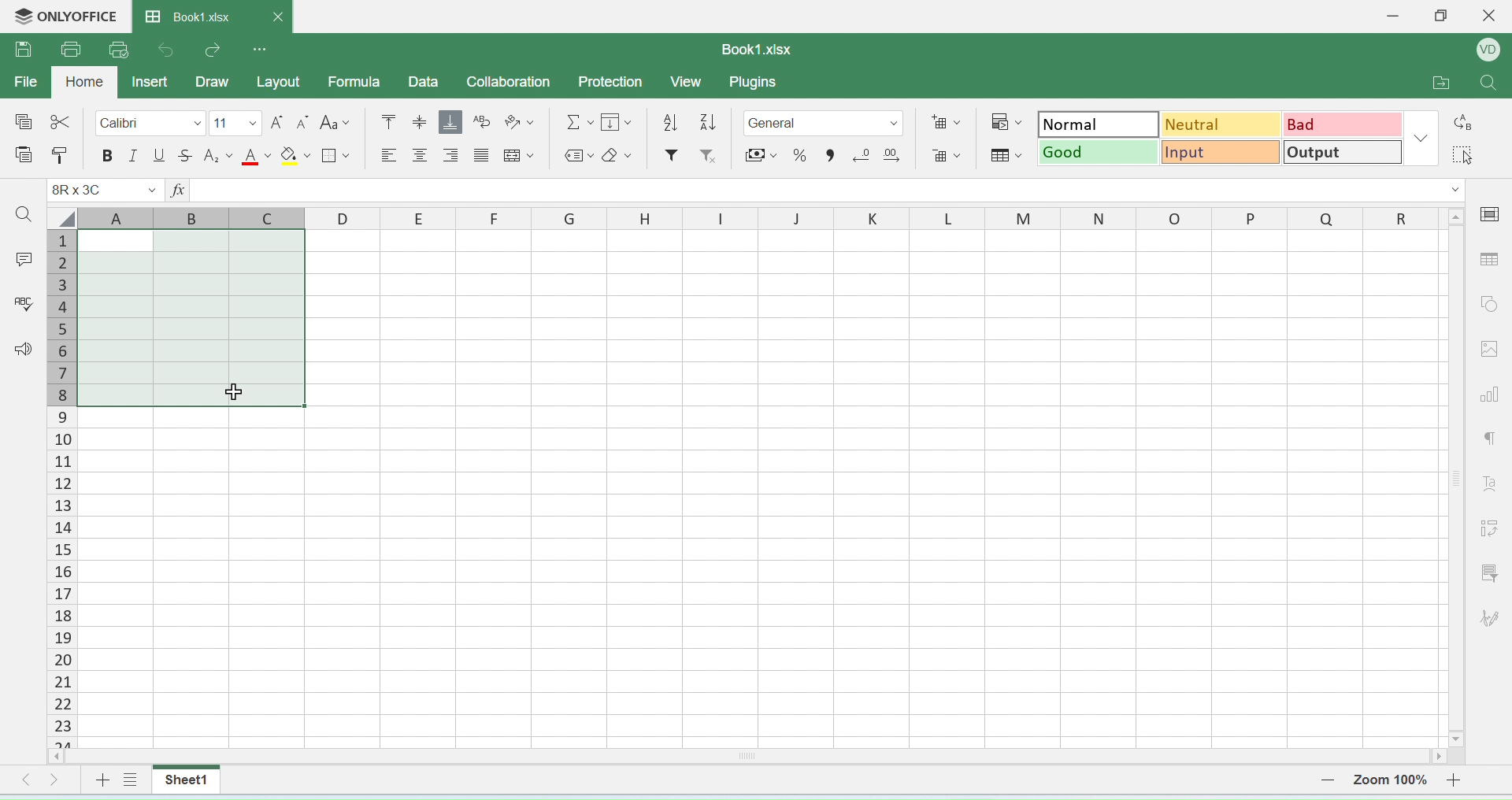 The image size is (1512, 800). Describe the element at coordinates (482, 157) in the screenshot. I see `center align` at that location.